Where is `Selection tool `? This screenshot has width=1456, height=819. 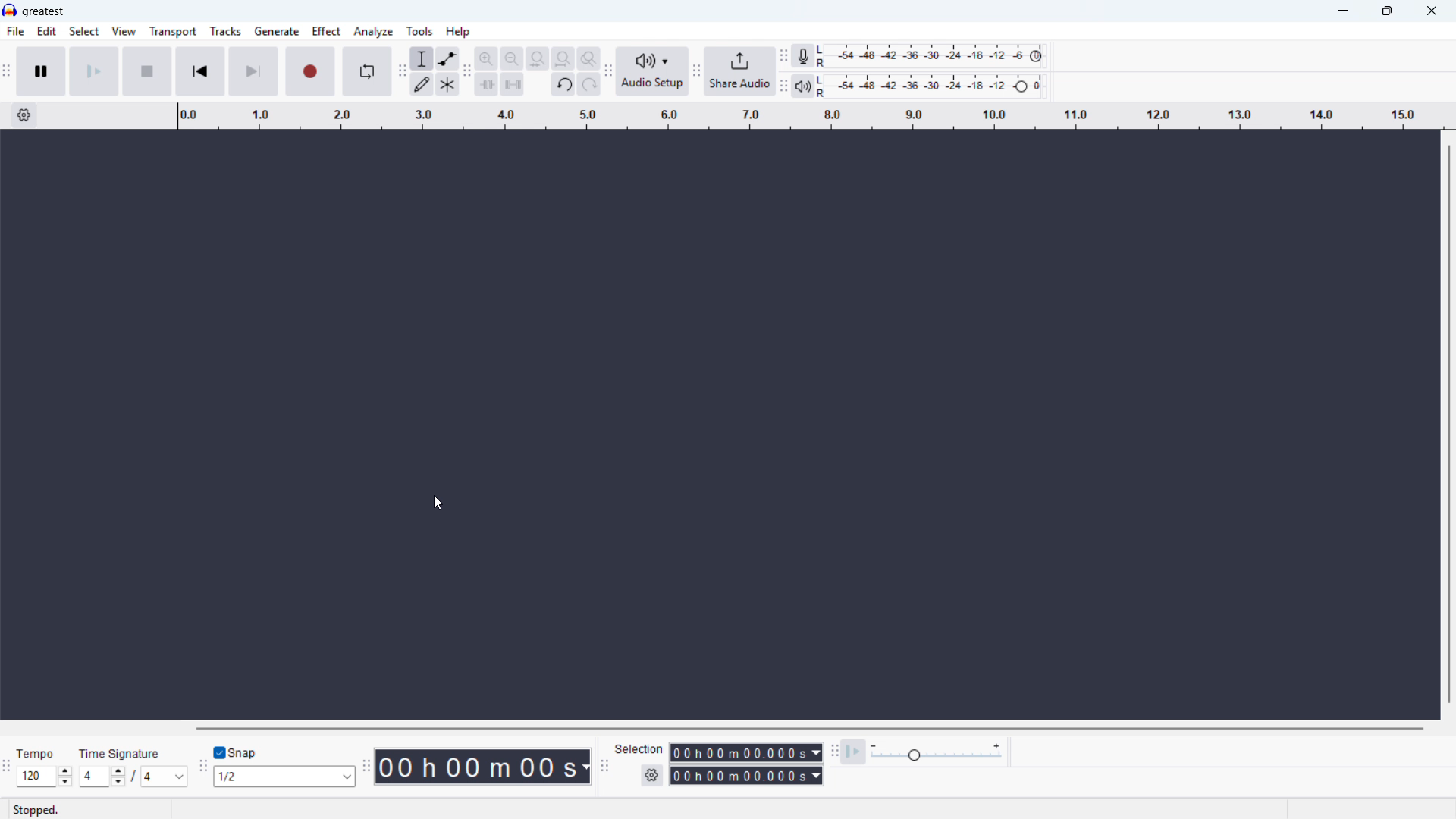 Selection tool  is located at coordinates (422, 58).